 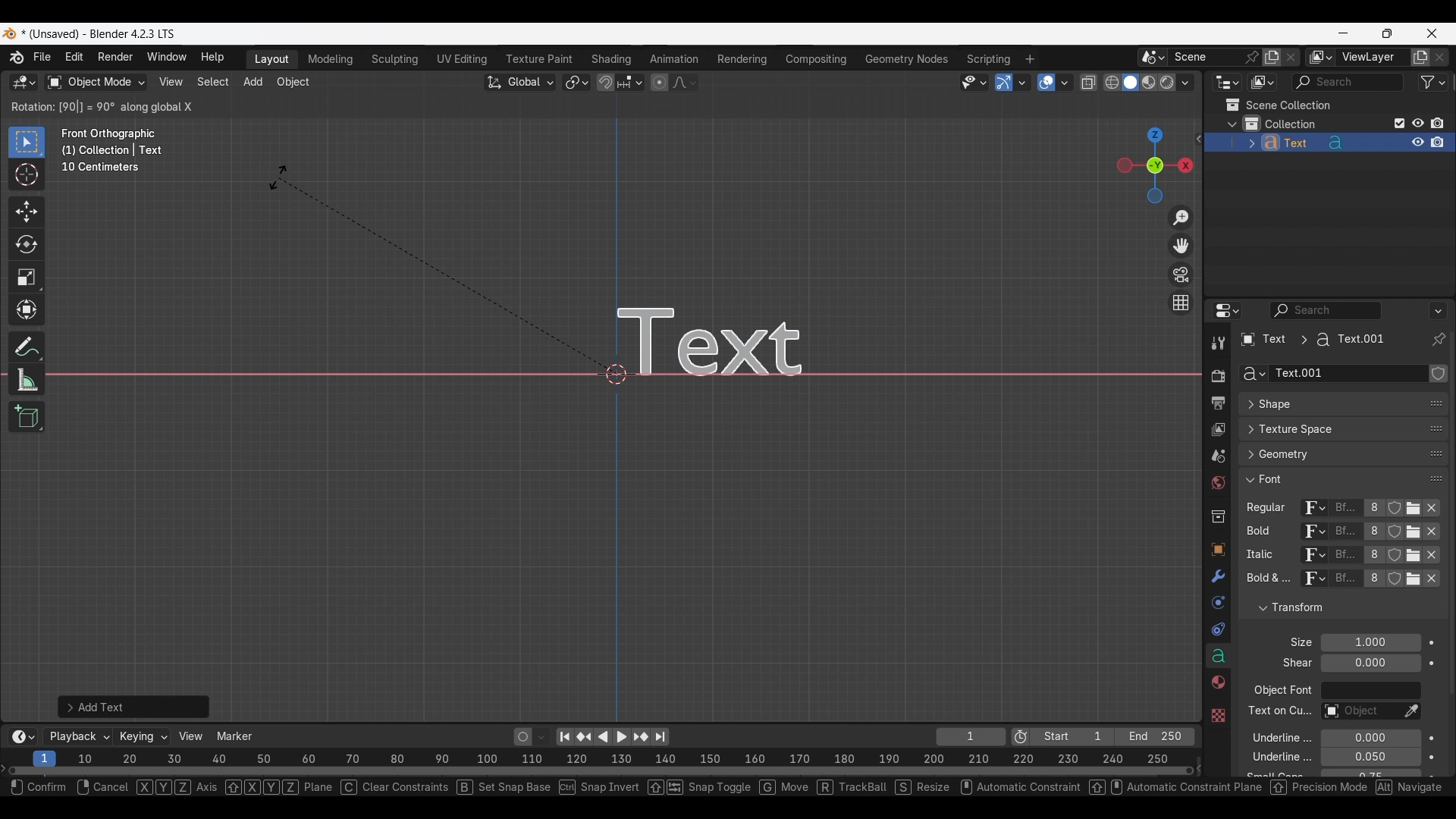 I want to click on Animate property of respective attribute, so click(x=1432, y=708).